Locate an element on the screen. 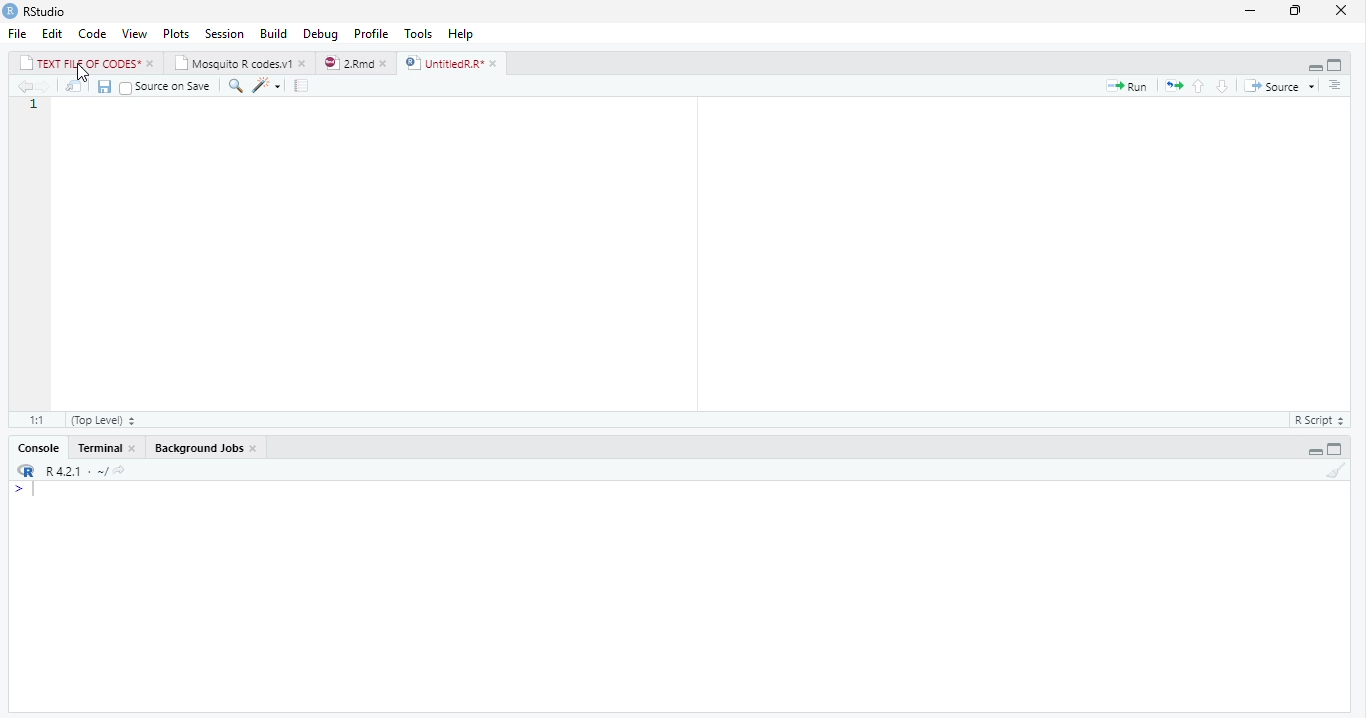 The image size is (1366, 718). code is located at coordinates (93, 33).